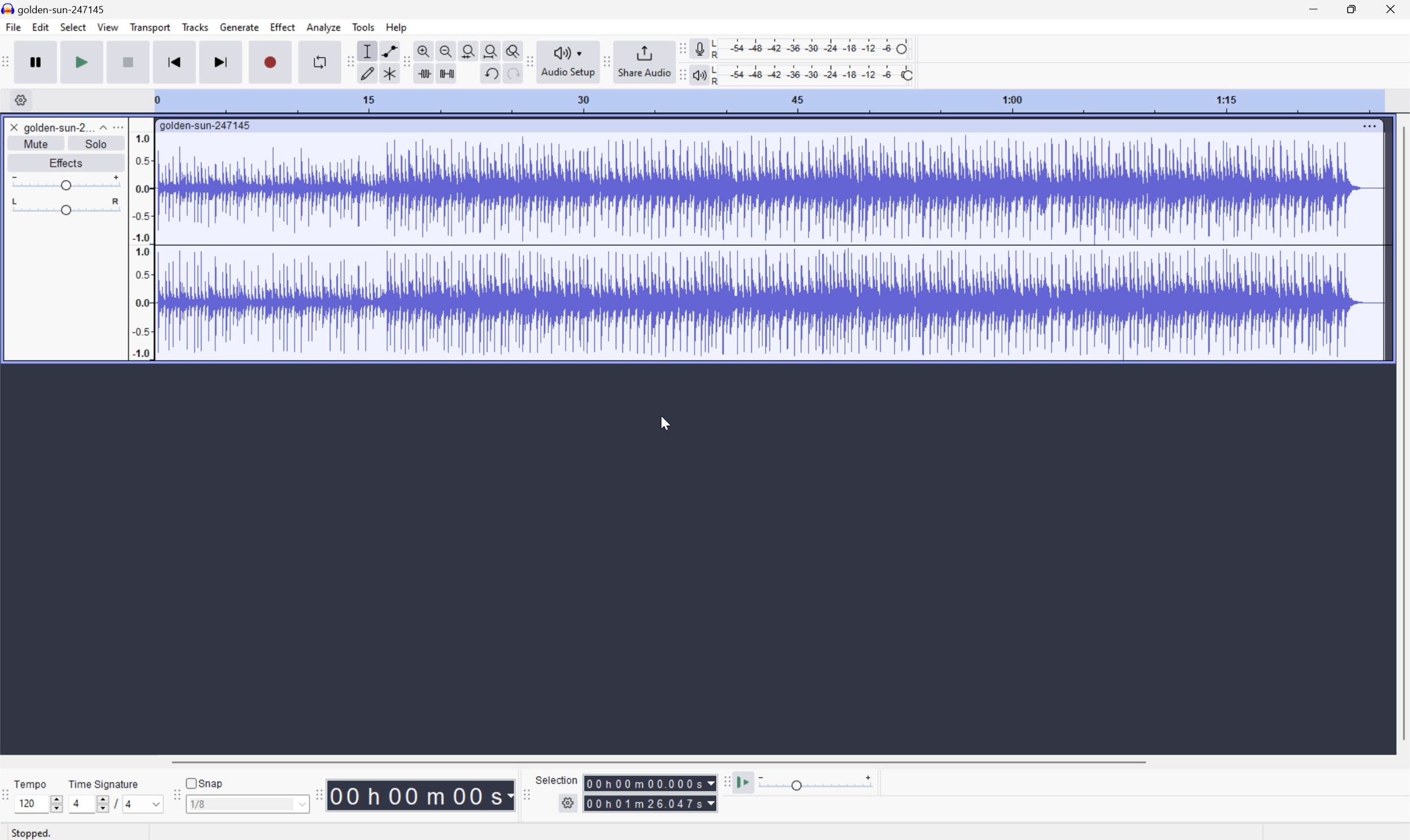  What do you see at coordinates (607, 62) in the screenshot?
I see `Audacity share audio toolbar` at bounding box center [607, 62].